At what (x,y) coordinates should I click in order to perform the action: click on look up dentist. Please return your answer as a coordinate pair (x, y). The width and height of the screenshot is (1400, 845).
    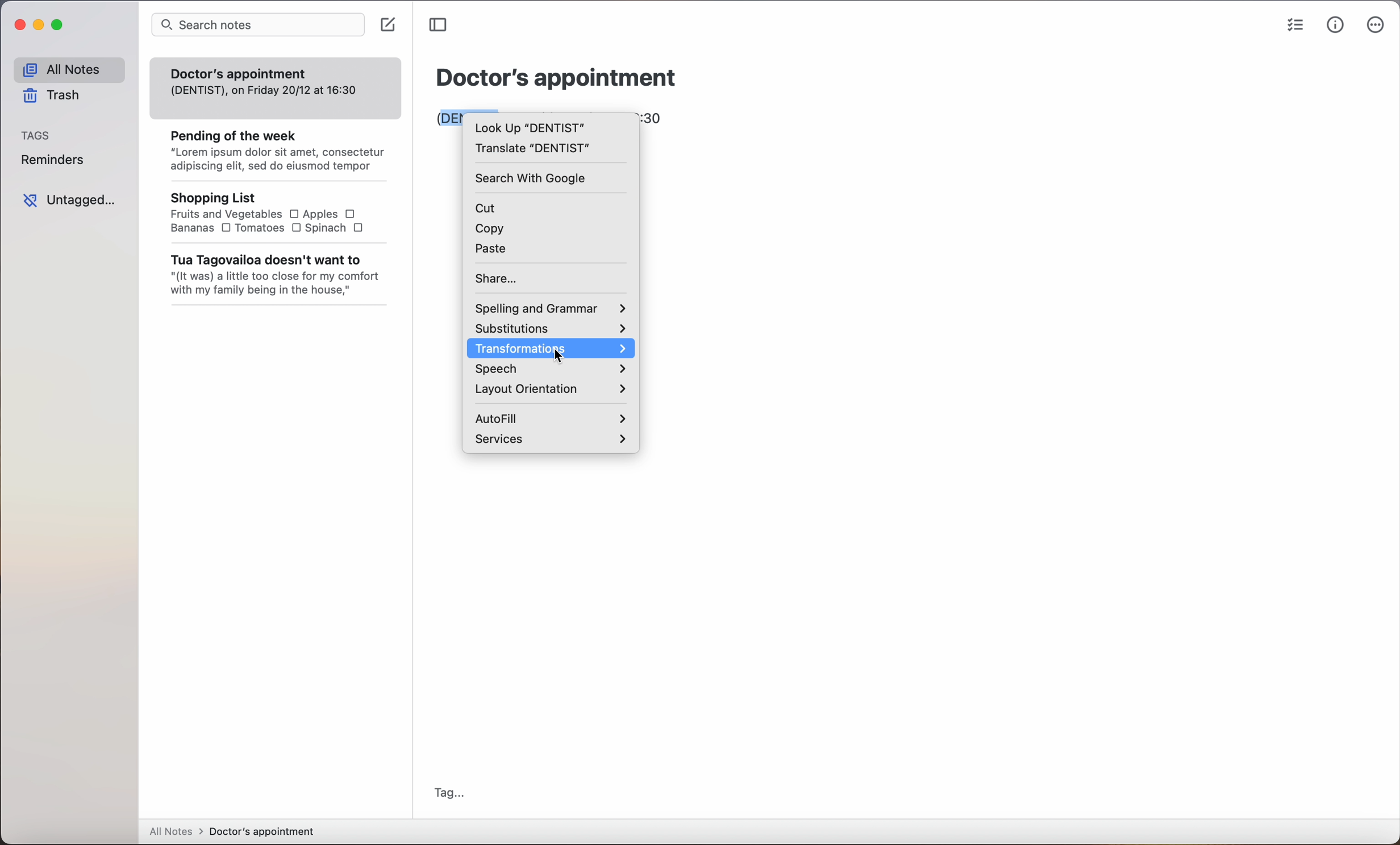
    Looking at the image, I should click on (528, 127).